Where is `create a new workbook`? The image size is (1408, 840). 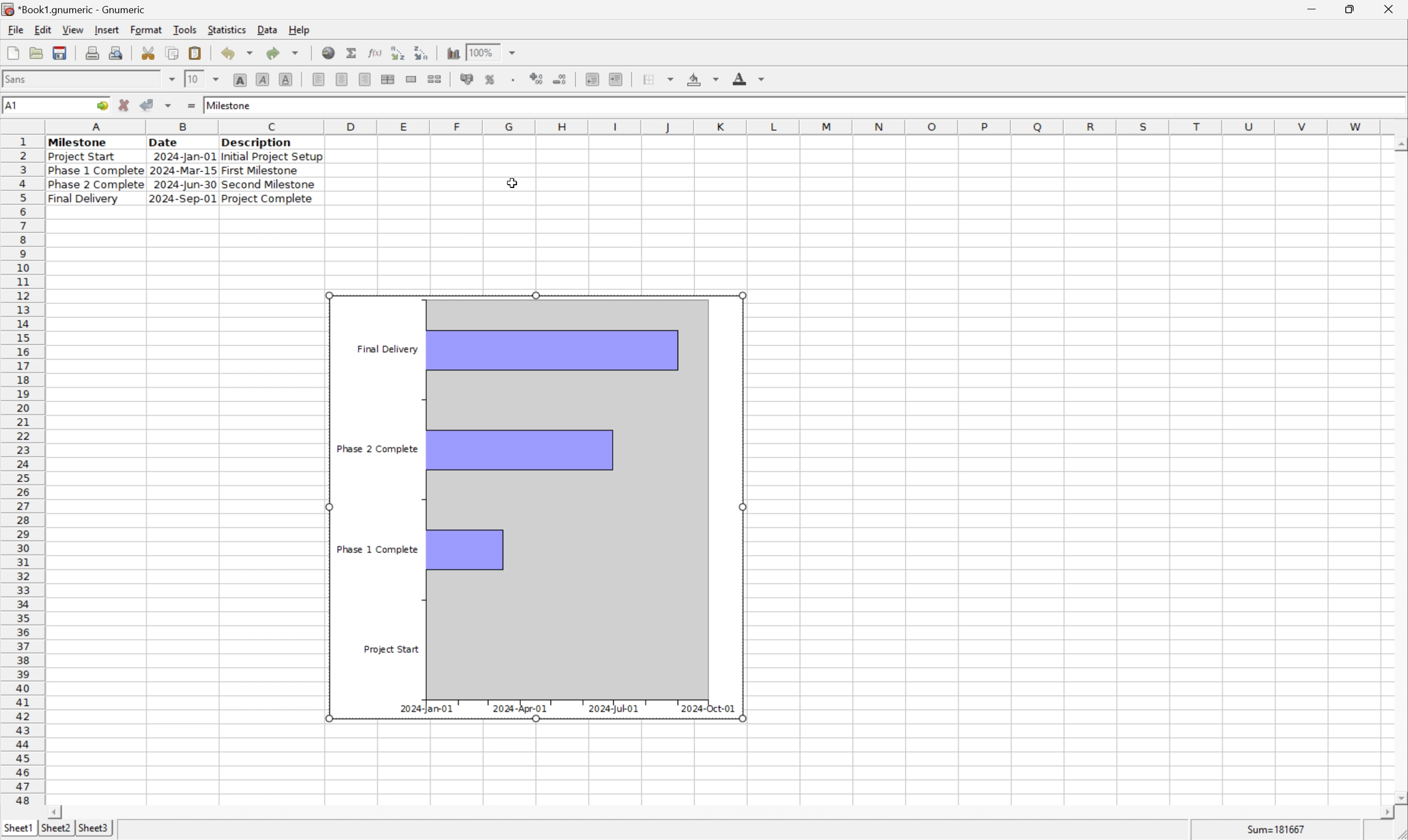 create a new workbook is located at coordinates (12, 54).